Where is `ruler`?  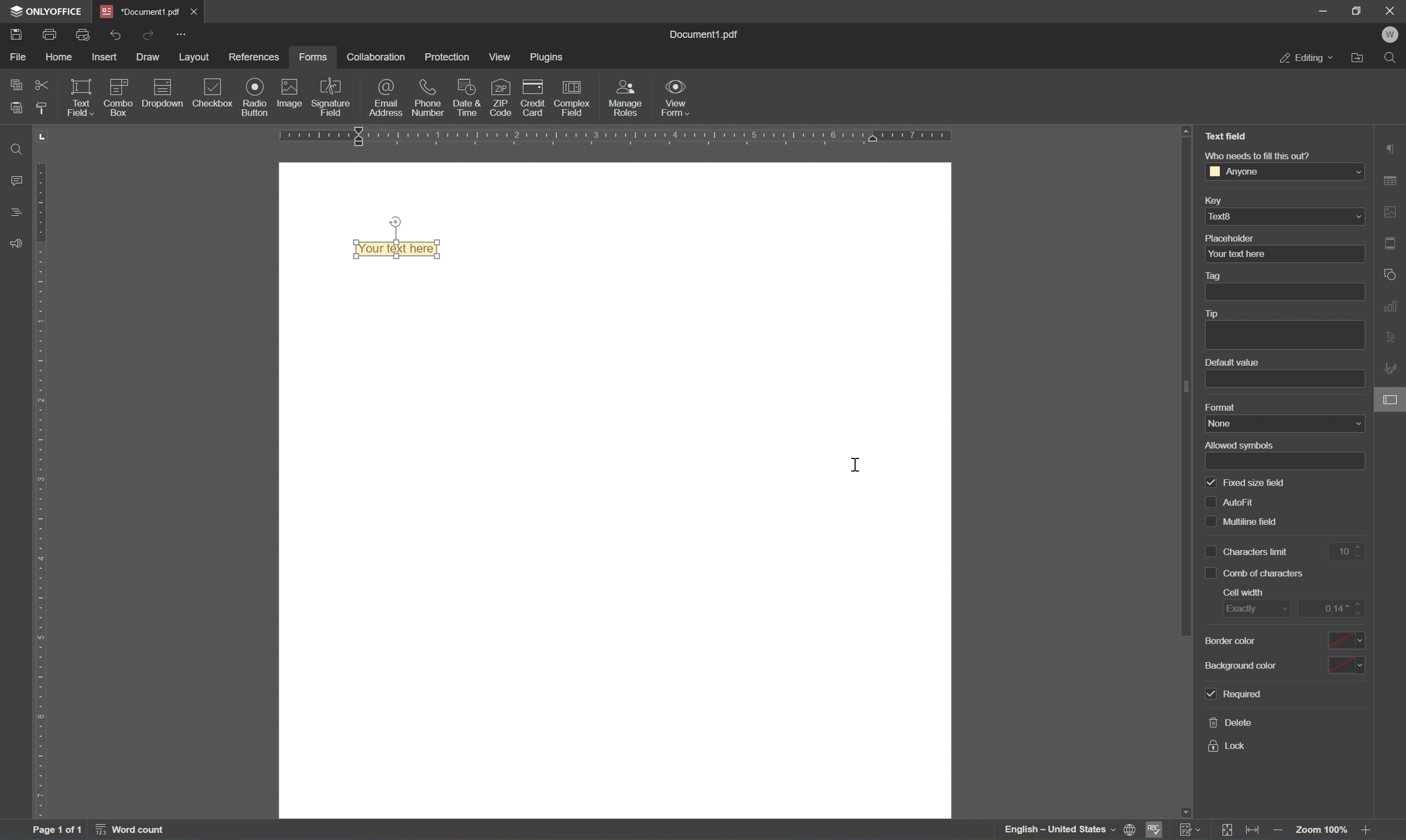 ruler is located at coordinates (45, 491).